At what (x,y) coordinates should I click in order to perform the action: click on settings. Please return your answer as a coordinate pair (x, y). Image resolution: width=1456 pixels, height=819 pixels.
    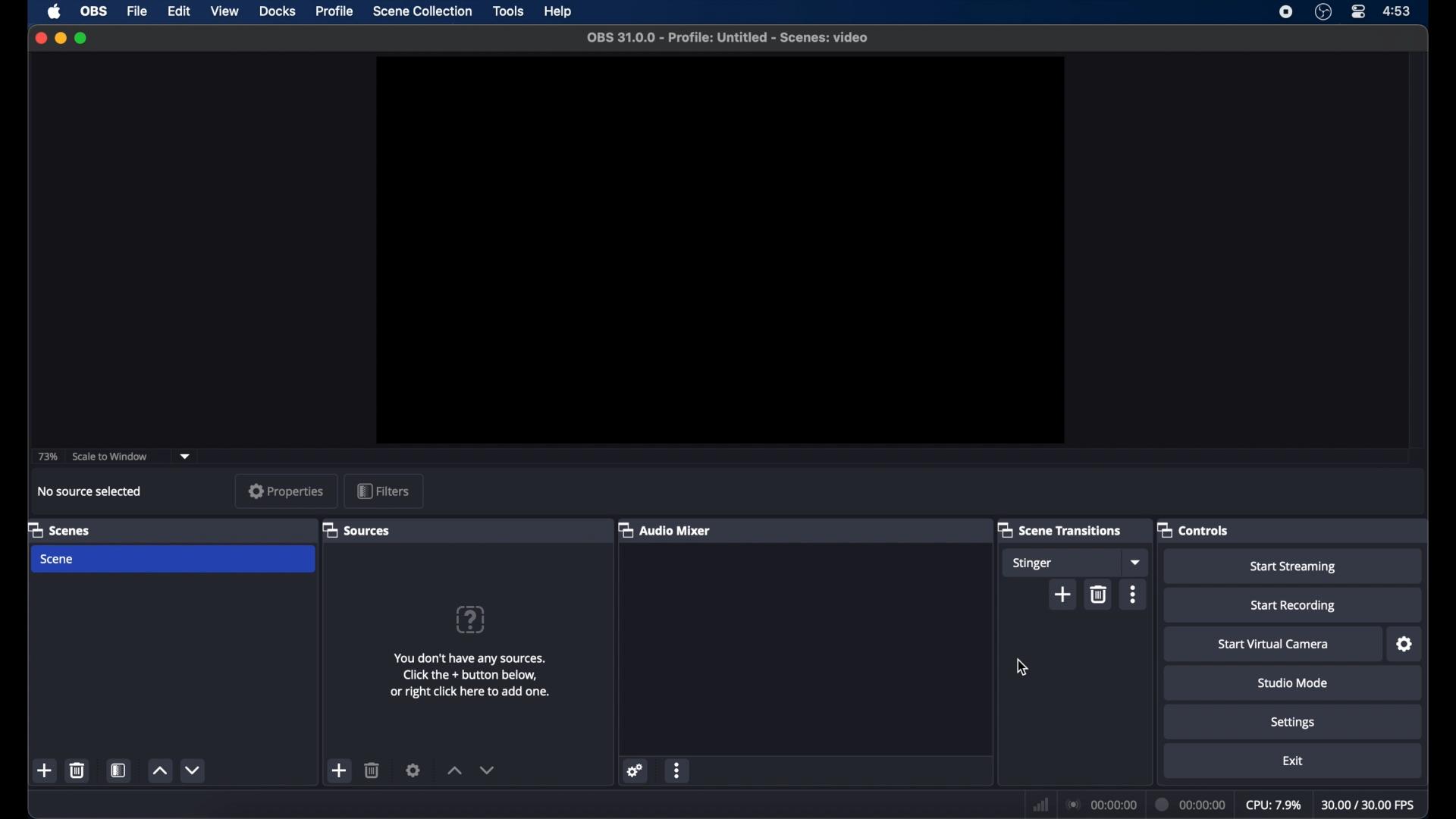
    Looking at the image, I should click on (1293, 723).